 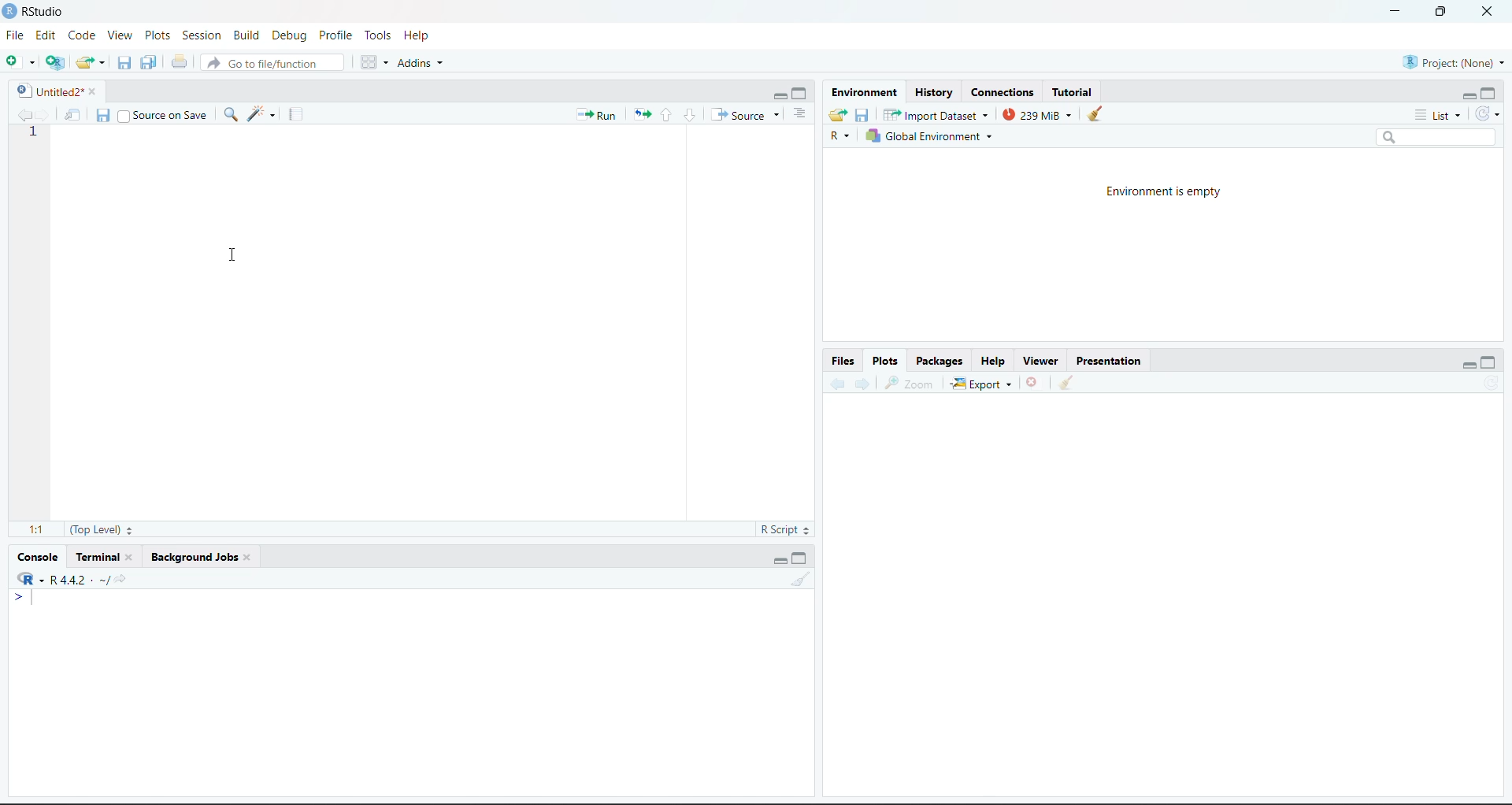 What do you see at coordinates (36, 556) in the screenshot?
I see `Console` at bounding box center [36, 556].